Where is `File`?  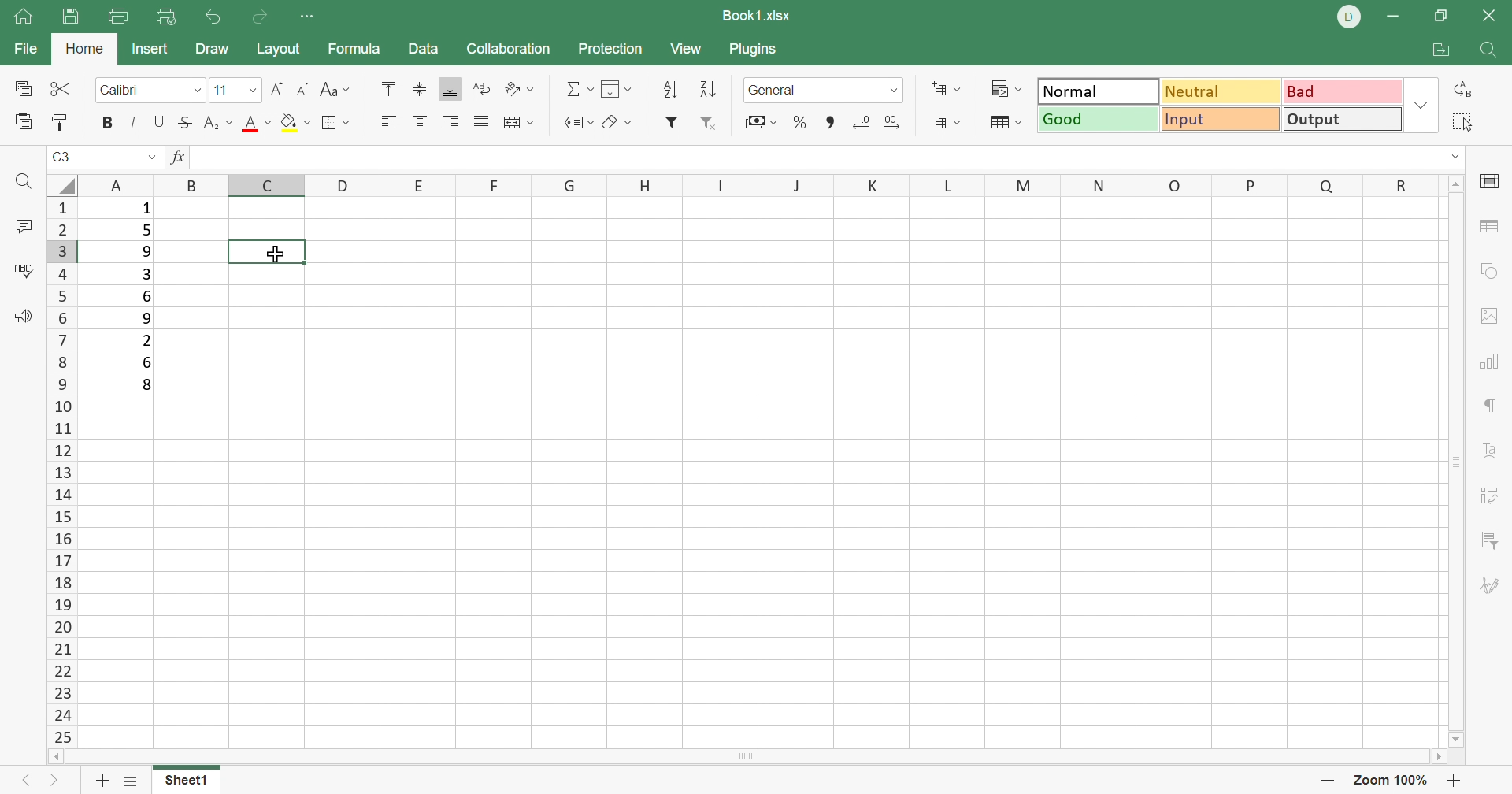 File is located at coordinates (22, 50).